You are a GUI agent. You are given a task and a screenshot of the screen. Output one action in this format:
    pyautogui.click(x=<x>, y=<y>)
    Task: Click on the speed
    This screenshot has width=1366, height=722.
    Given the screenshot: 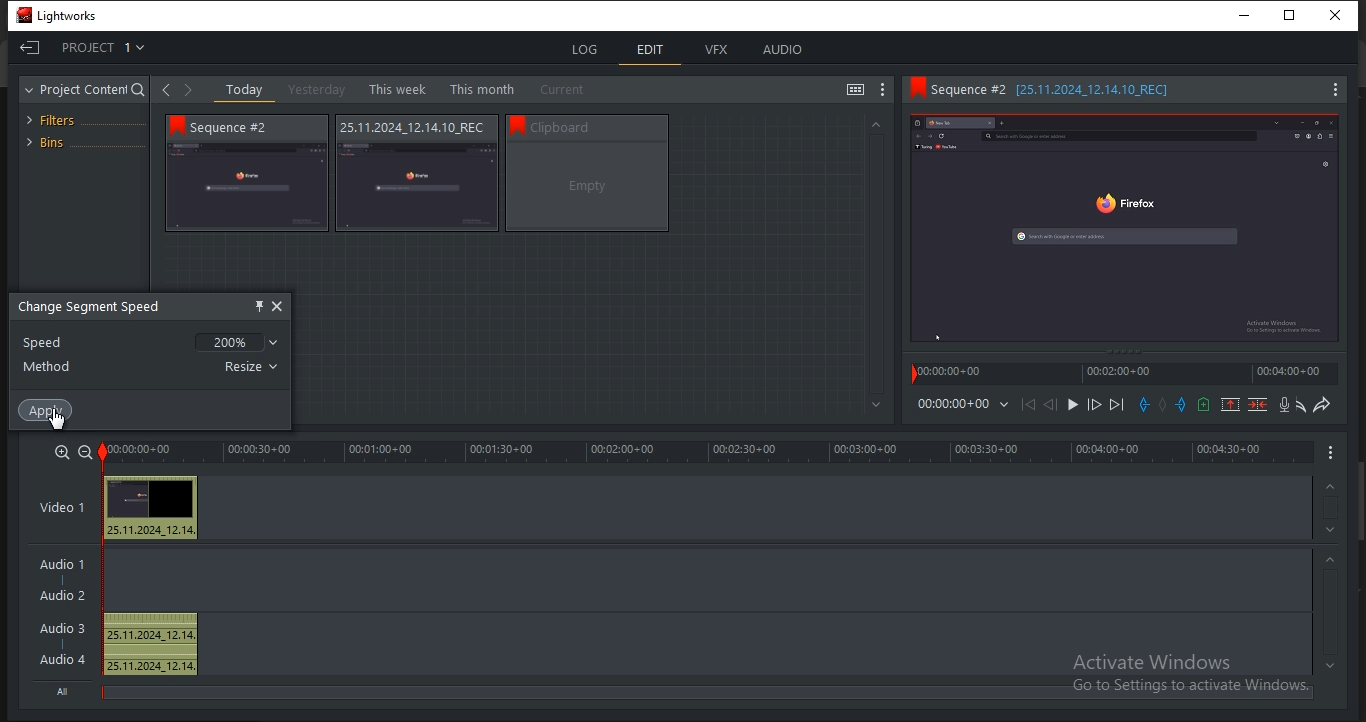 What is the action you would take?
    pyautogui.click(x=149, y=344)
    